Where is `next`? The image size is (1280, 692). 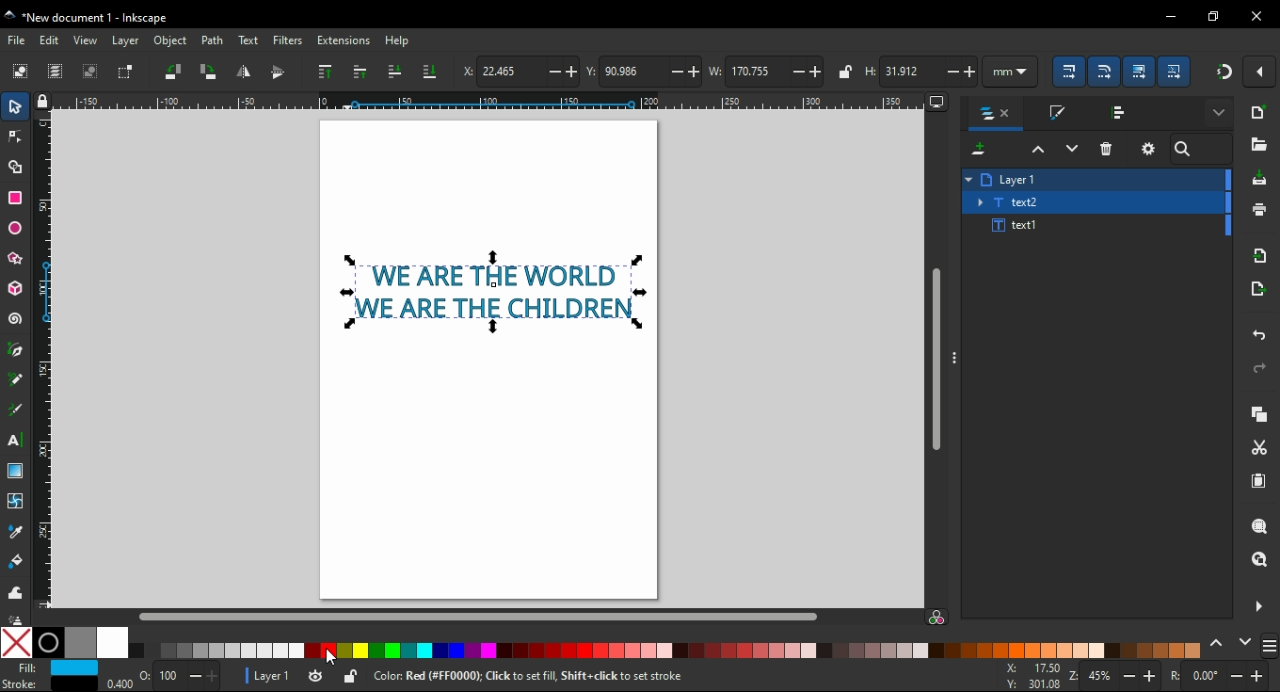 next is located at coordinates (1245, 646).